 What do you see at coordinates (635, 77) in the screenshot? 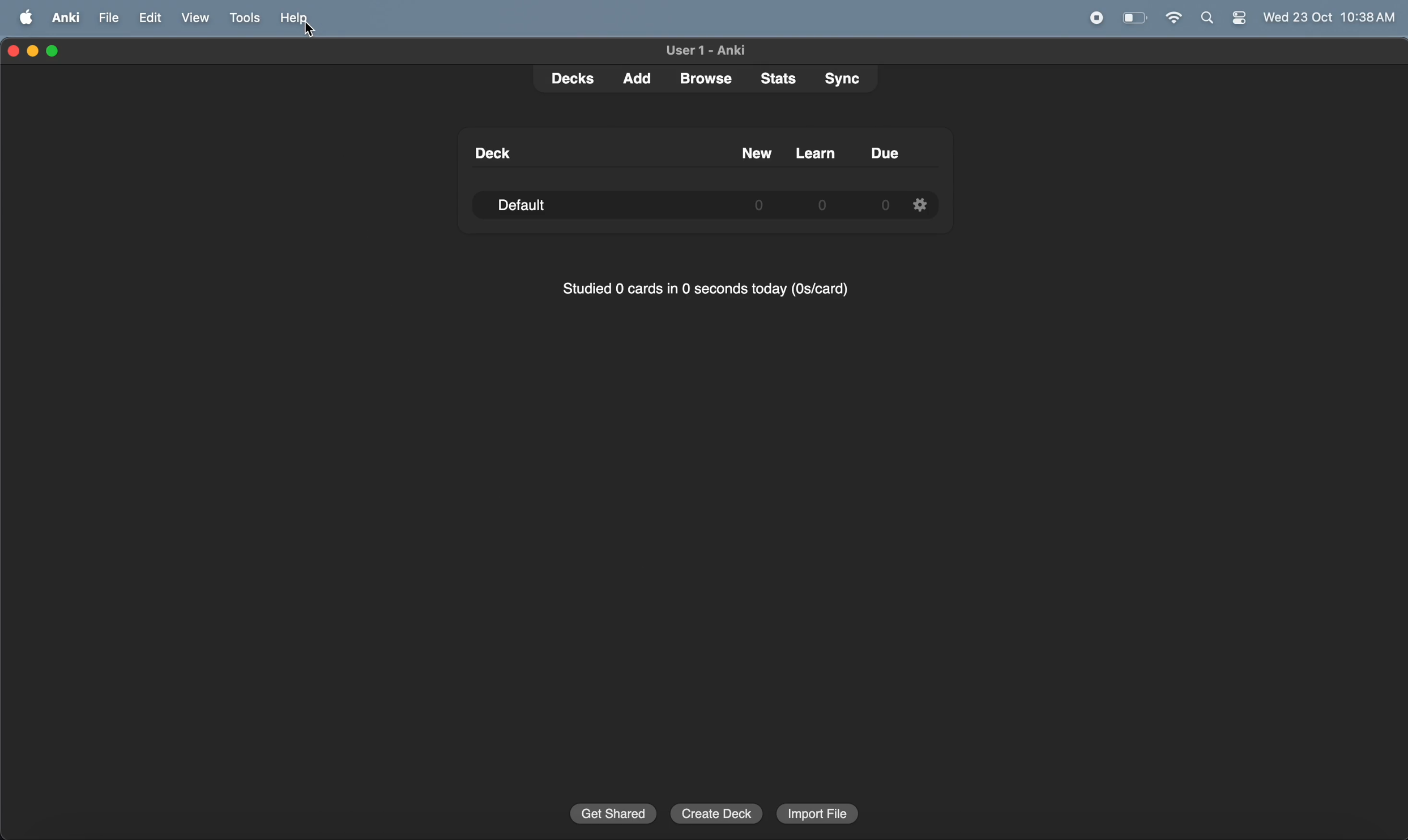
I see `add` at bounding box center [635, 77].